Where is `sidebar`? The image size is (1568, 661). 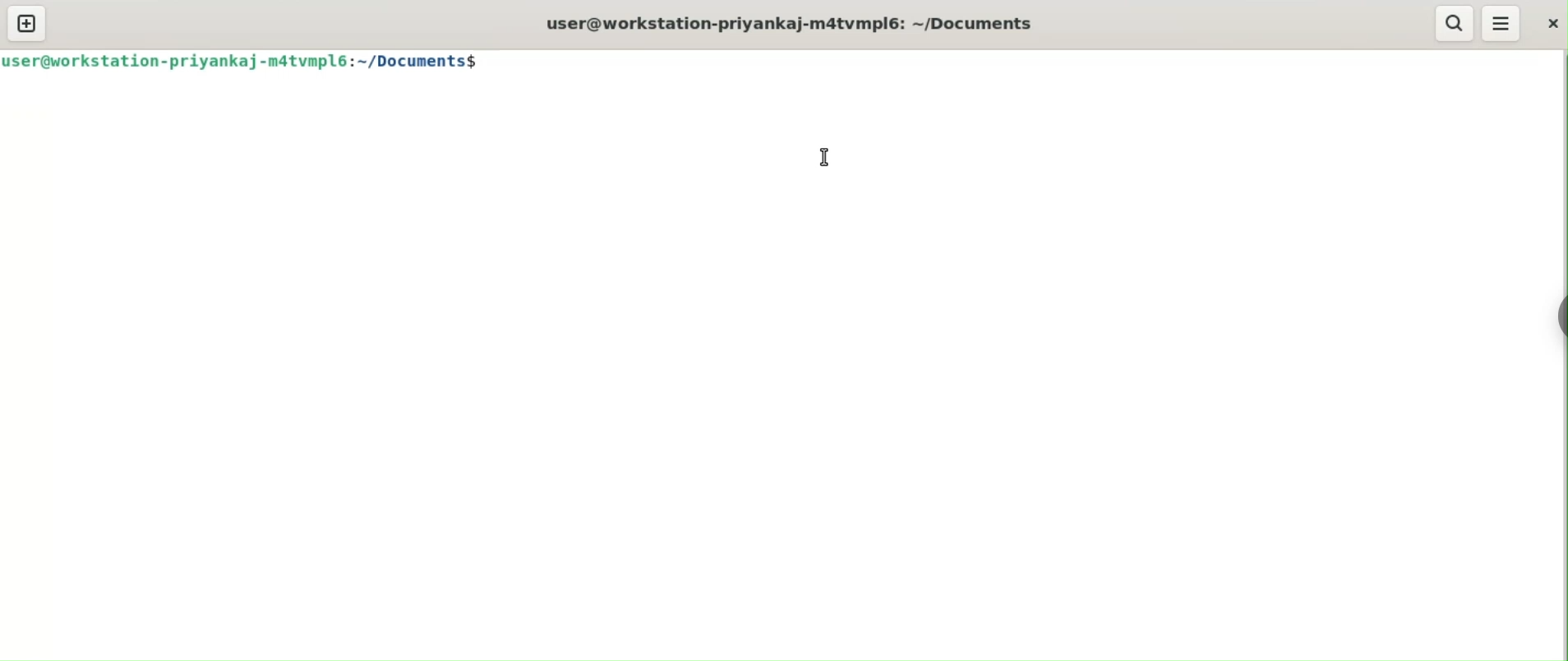 sidebar is located at coordinates (1561, 317).